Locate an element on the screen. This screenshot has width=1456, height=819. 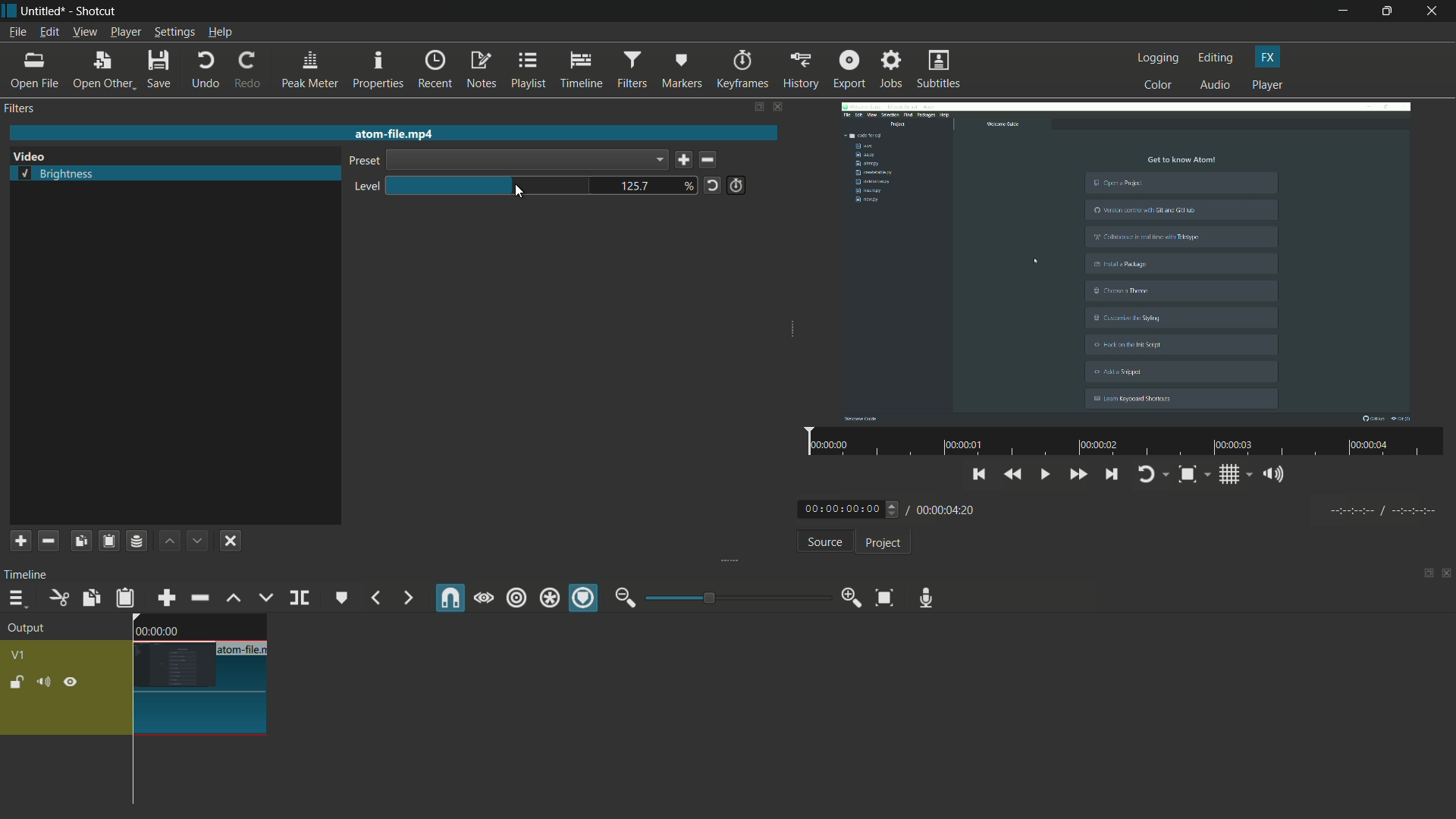
atom-file.mp4 is located at coordinates (393, 133).